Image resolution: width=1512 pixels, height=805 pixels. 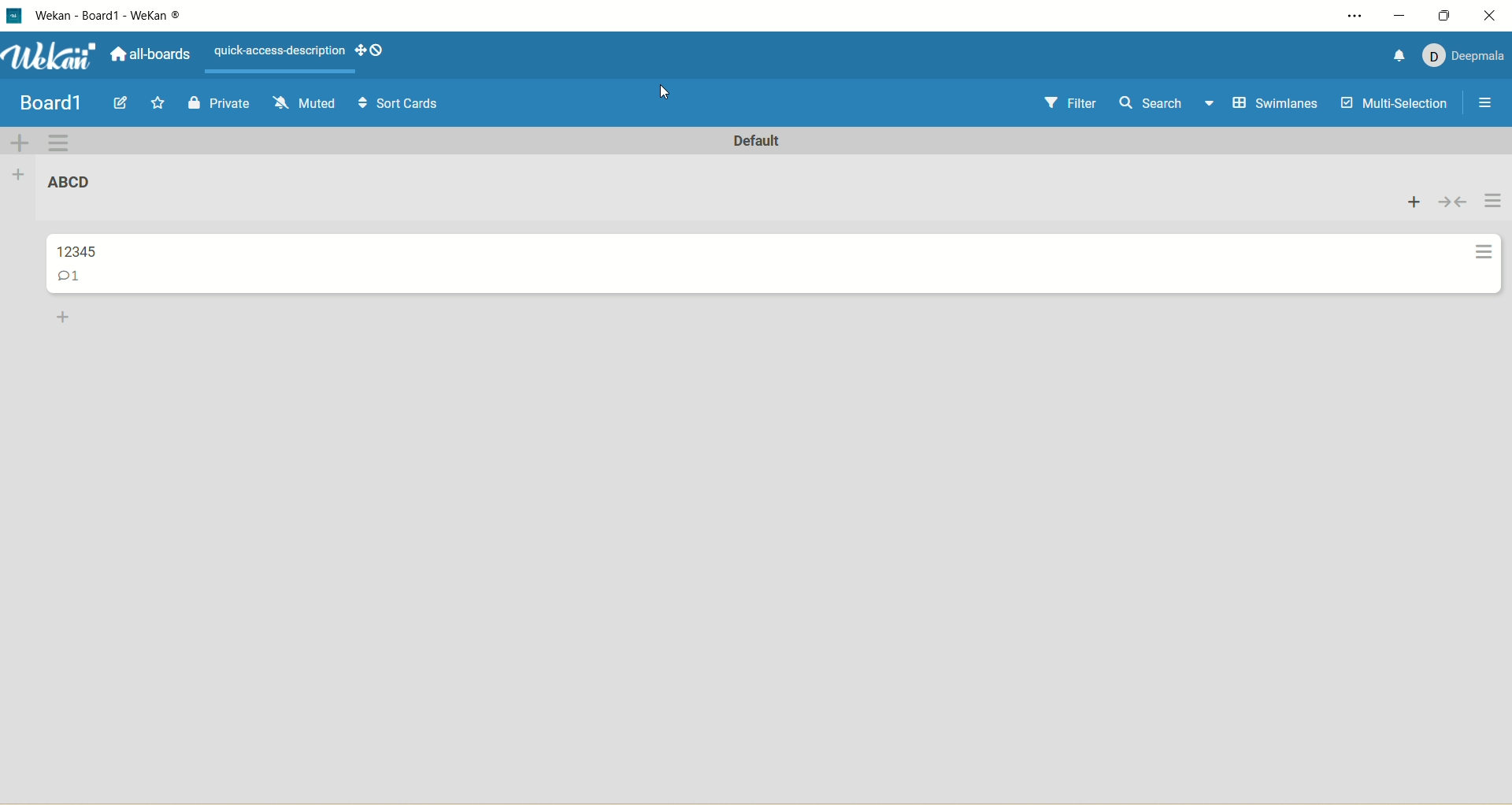 What do you see at coordinates (92, 249) in the screenshot?
I see `title` at bounding box center [92, 249].